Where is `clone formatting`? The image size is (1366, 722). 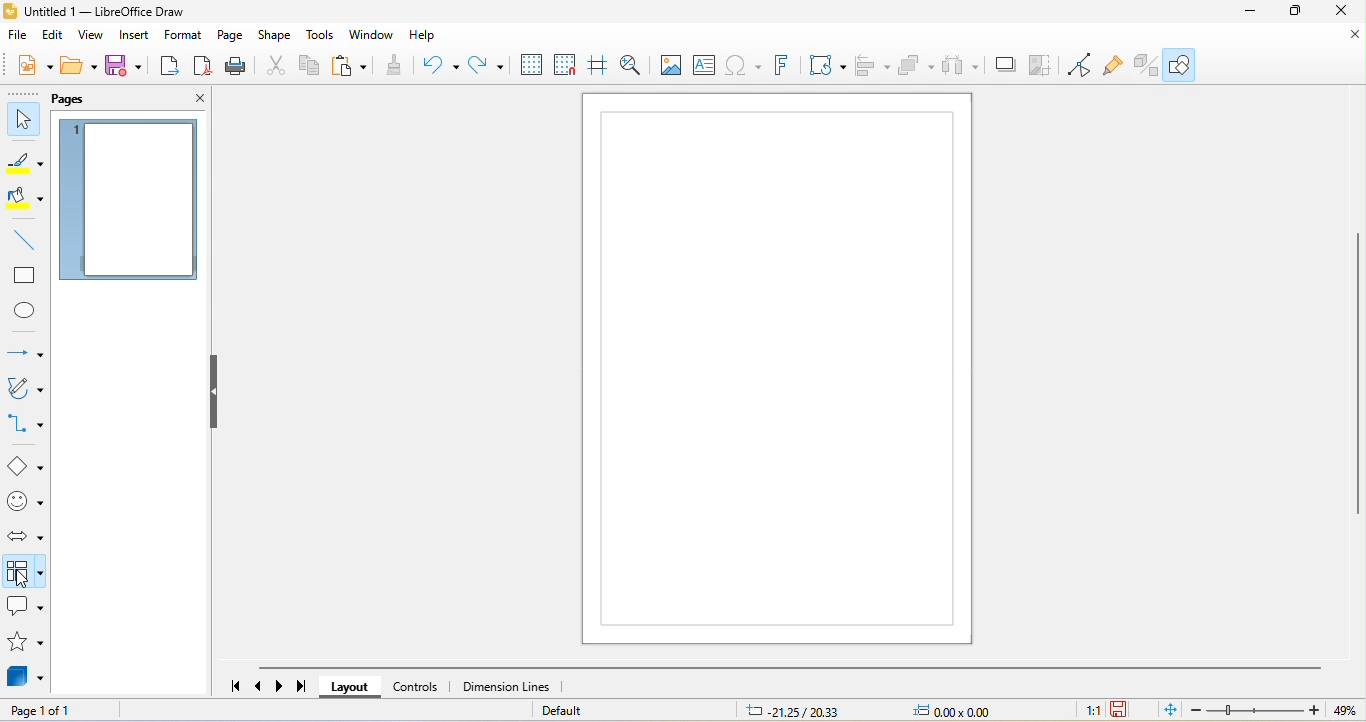
clone formatting is located at coordinates (396, 67).